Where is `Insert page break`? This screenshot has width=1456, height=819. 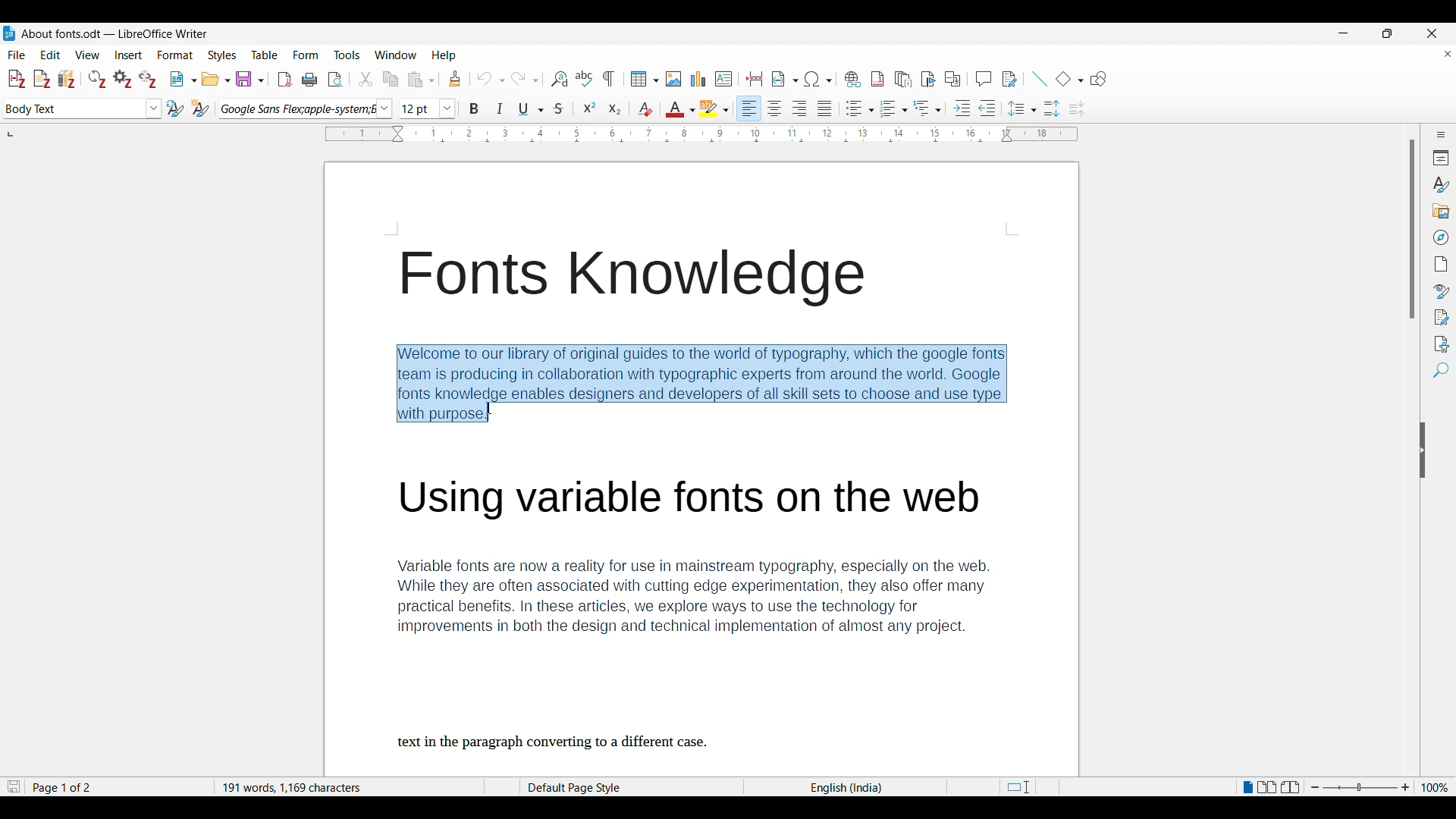 Insert page break is located at coordinates (755, 79).